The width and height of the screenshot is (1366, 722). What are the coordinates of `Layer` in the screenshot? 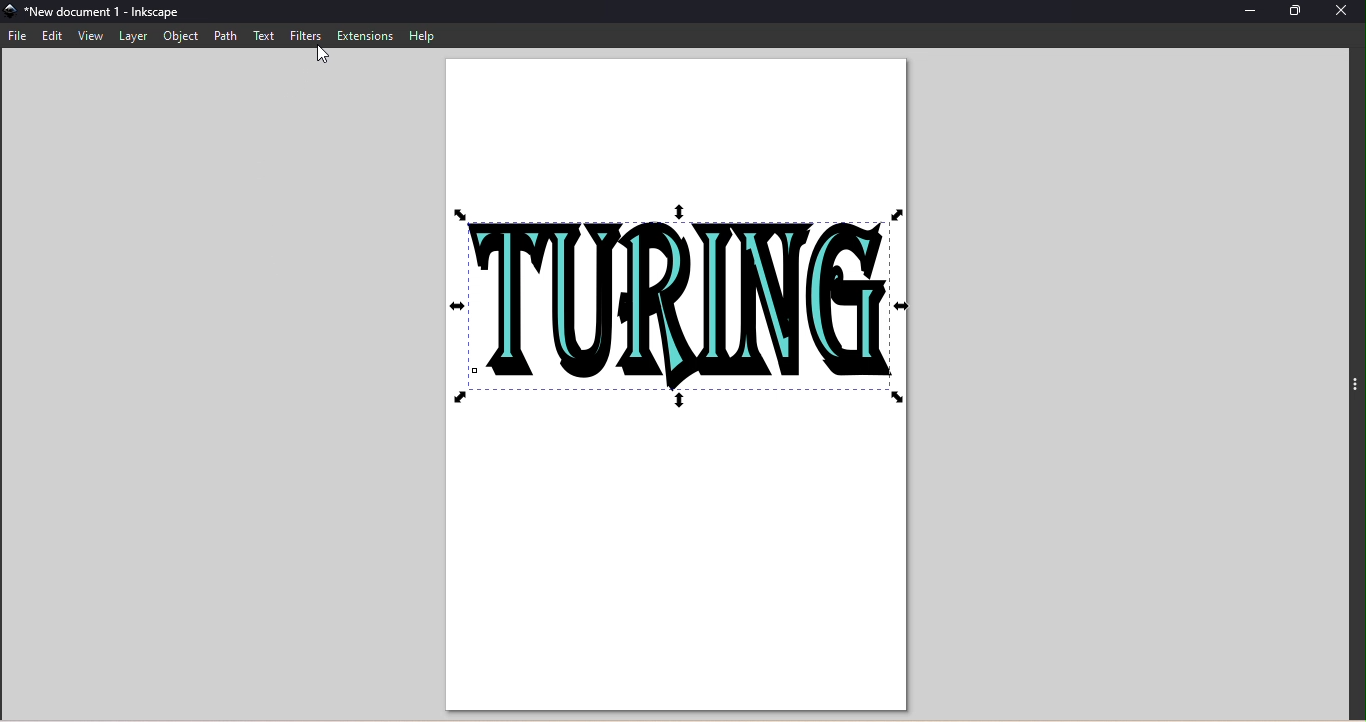 It's located at (133, 36).